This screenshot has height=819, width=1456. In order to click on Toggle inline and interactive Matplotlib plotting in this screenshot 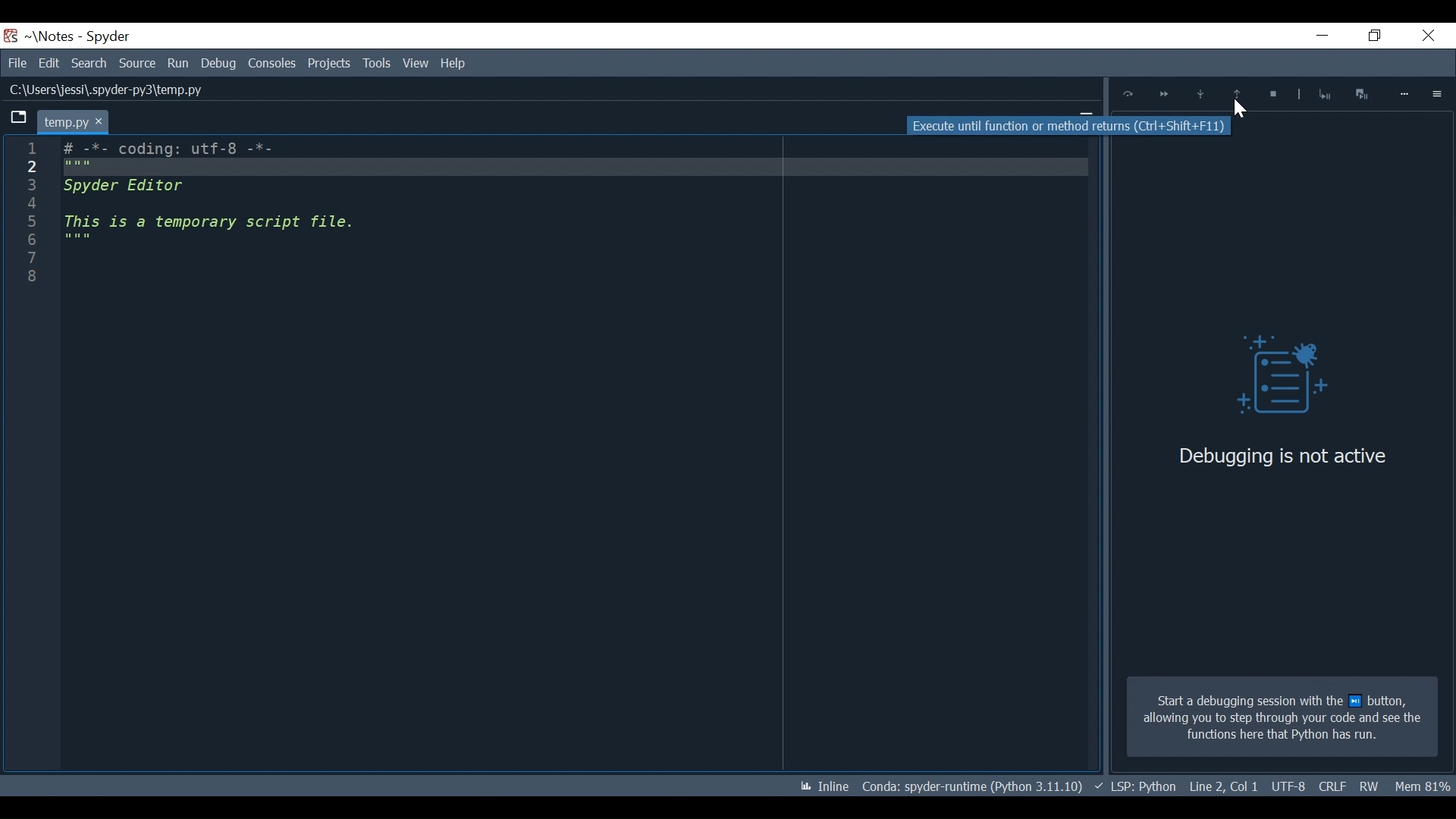, I will do `click(824, 786)`.